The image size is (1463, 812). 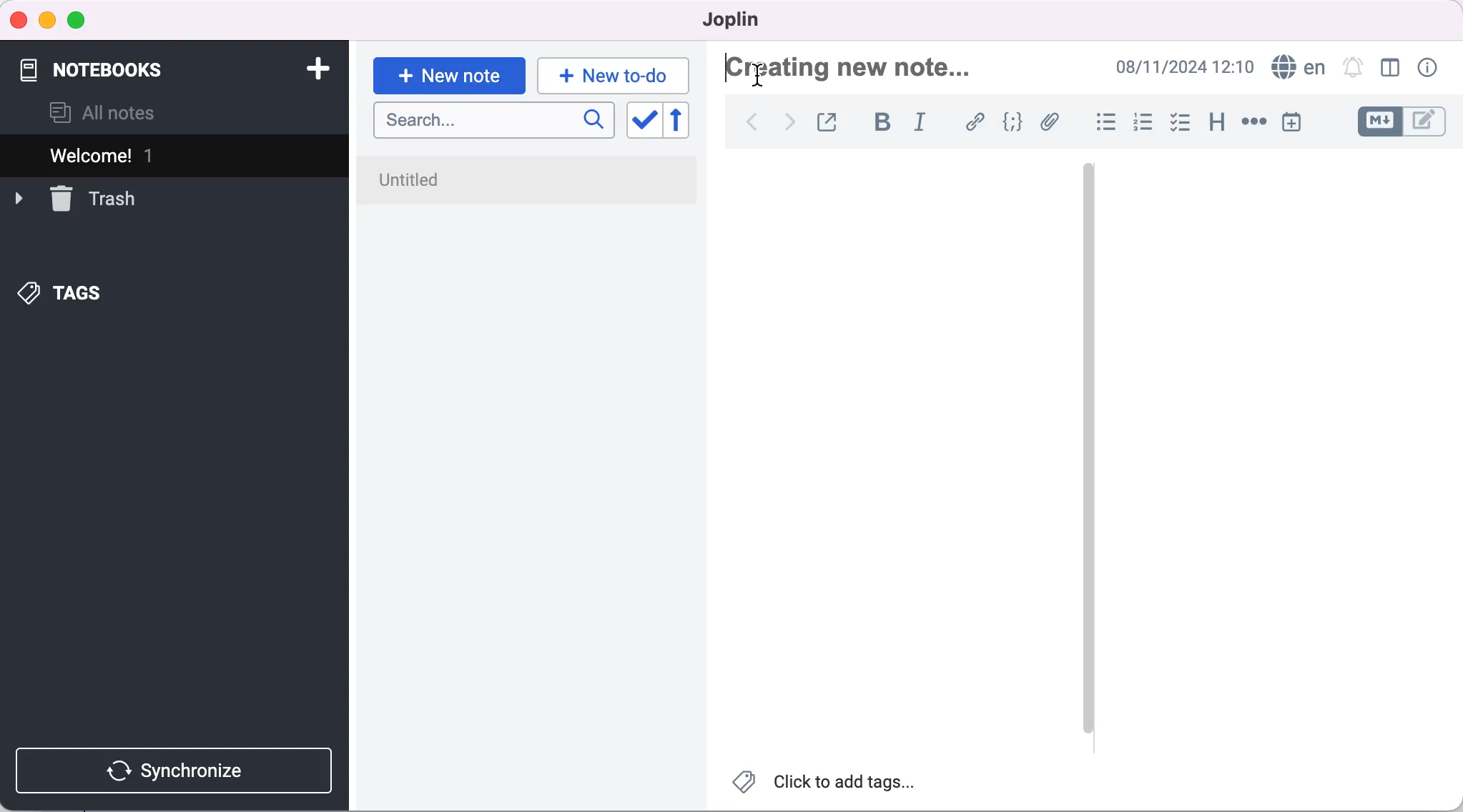 I want to click on code, so click(x=1013, y=123).